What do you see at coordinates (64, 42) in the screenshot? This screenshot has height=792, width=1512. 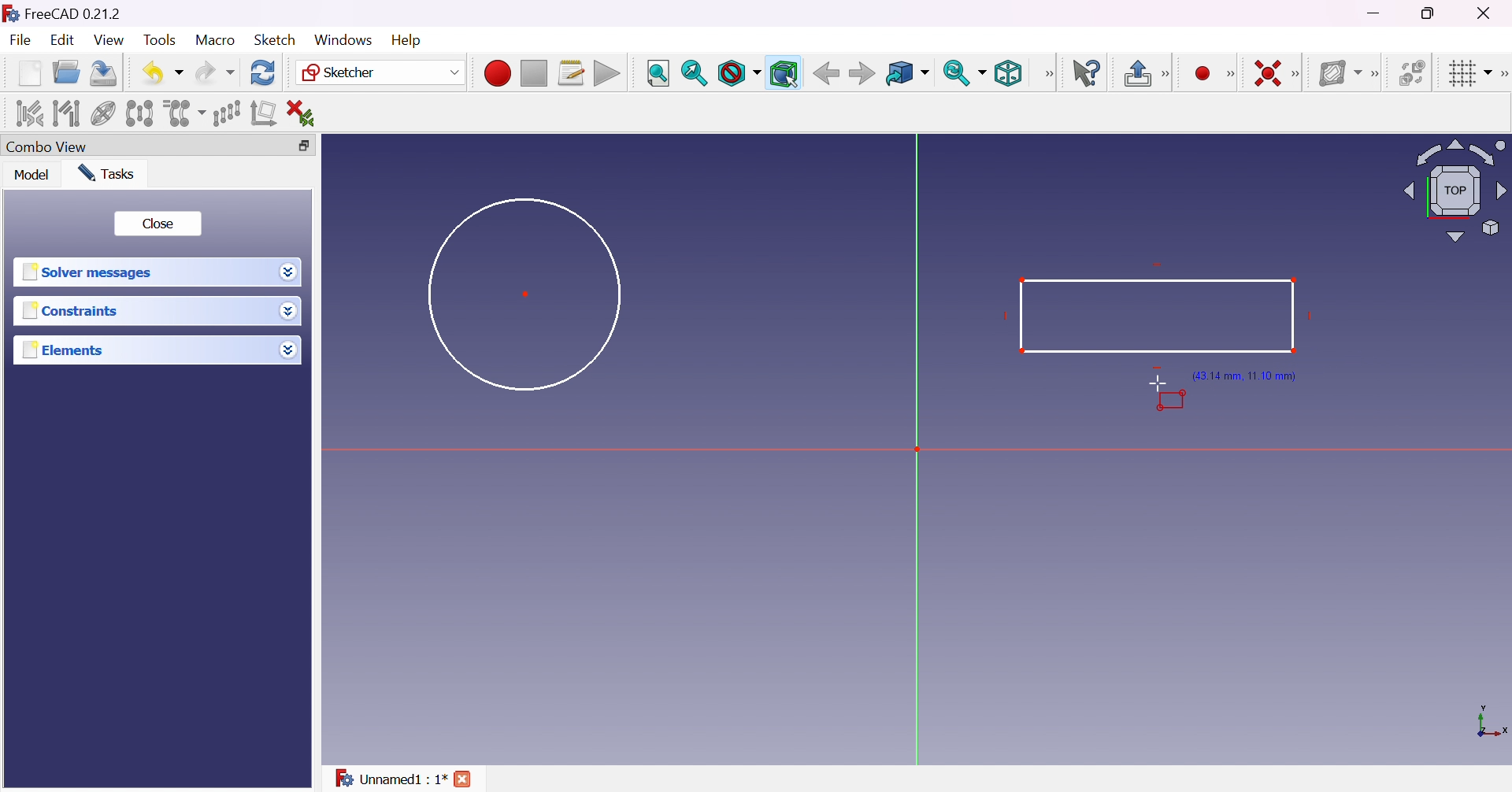 I see `Edit` at bounding box center [64, 42].